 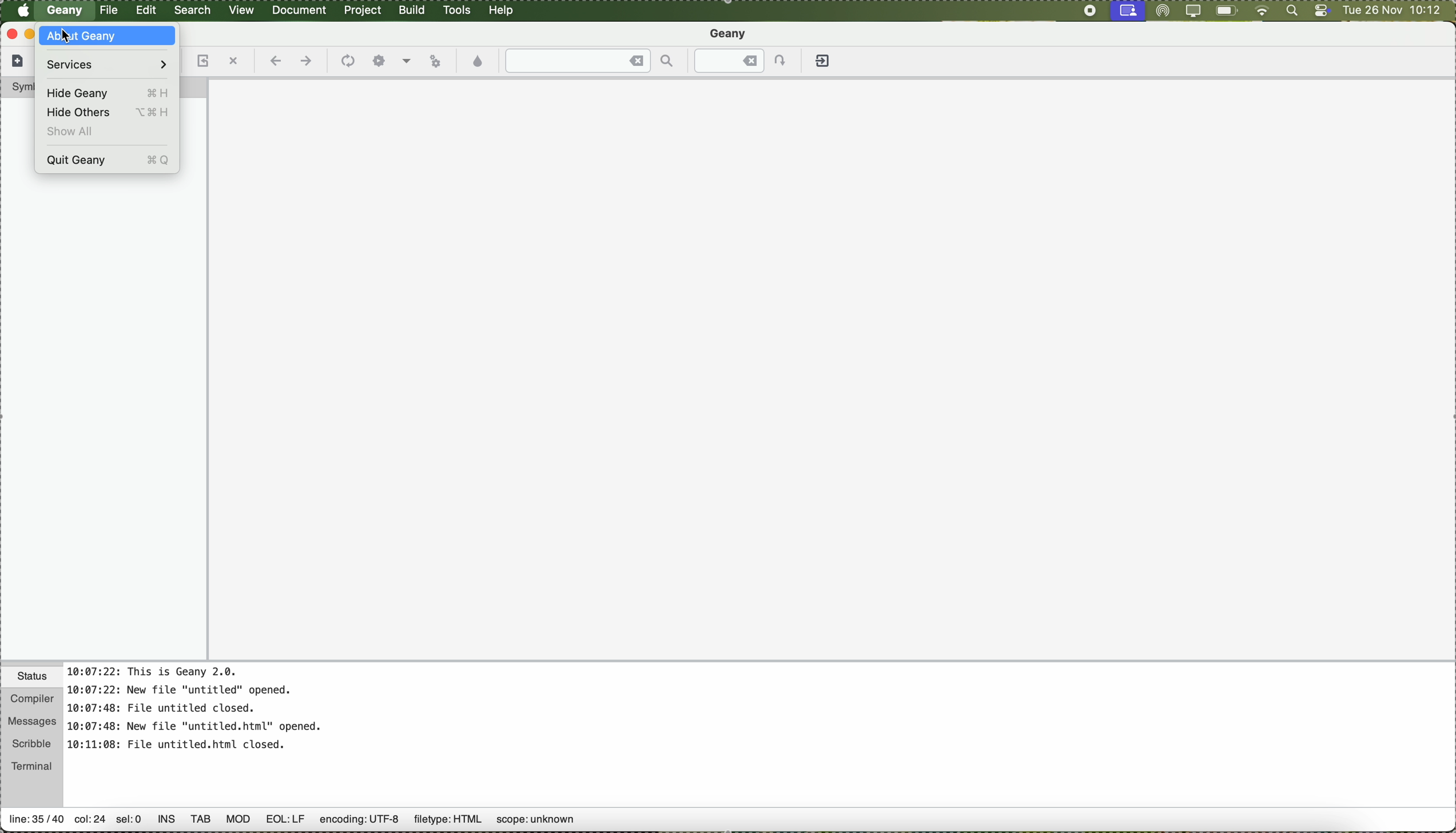 What do you see at coordinates (588, 61) in the screenshot?
I see `find the entered text in the current file` at bounding box center [588, 61].